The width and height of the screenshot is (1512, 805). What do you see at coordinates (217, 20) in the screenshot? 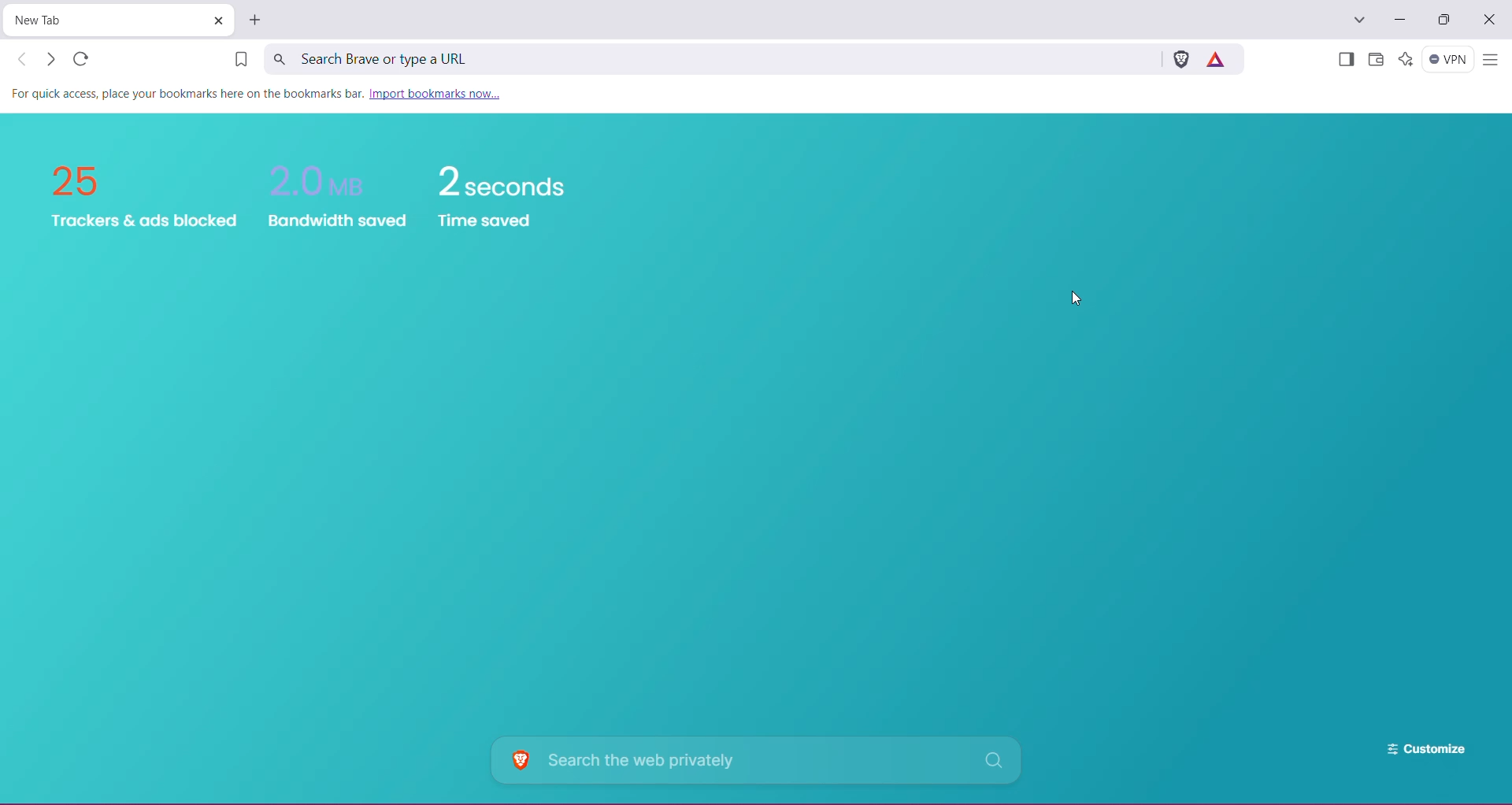
I see `Close Tab` at bounding box center [217, 20].